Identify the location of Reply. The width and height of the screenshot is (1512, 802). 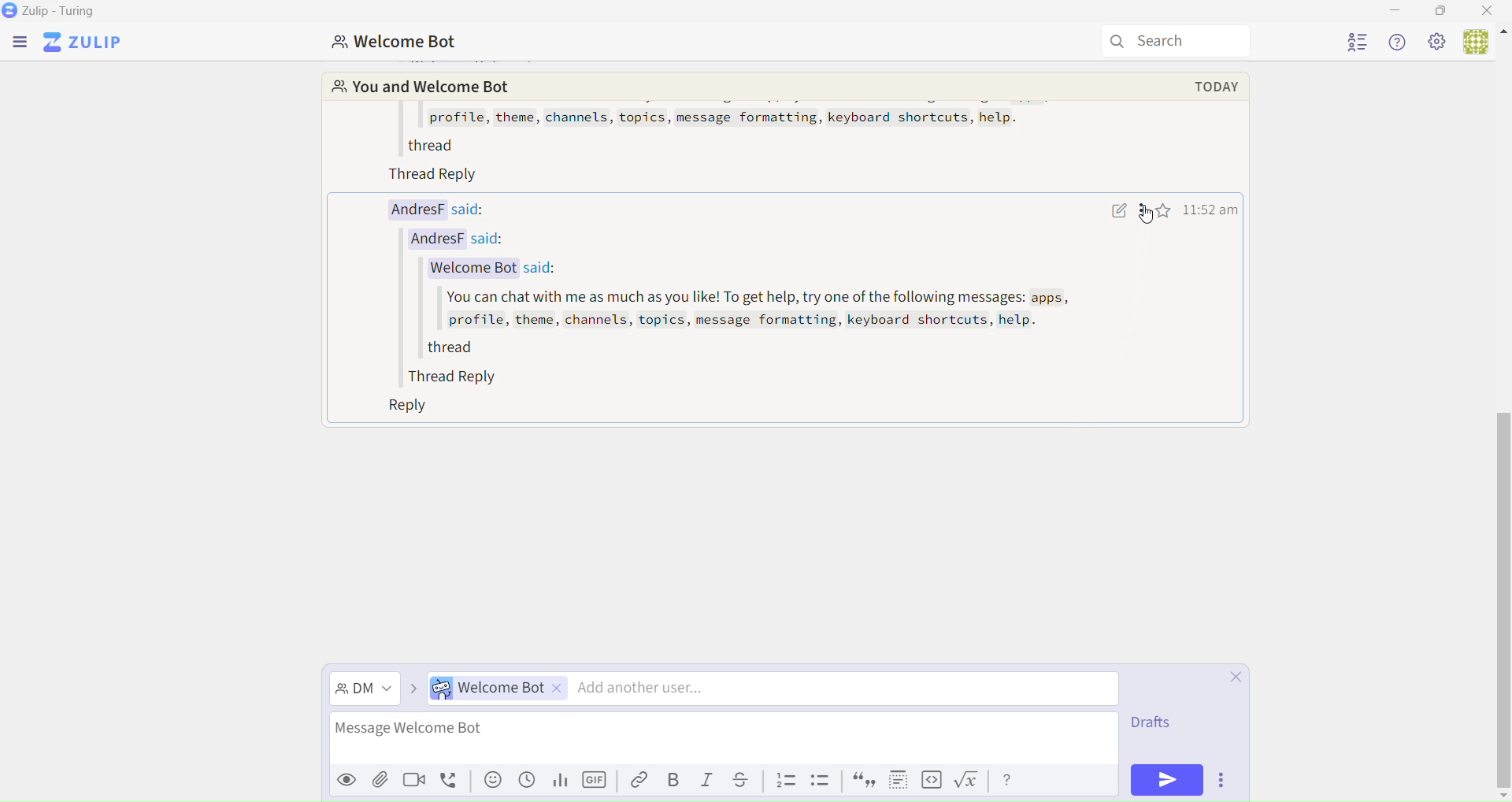
(397, 407).